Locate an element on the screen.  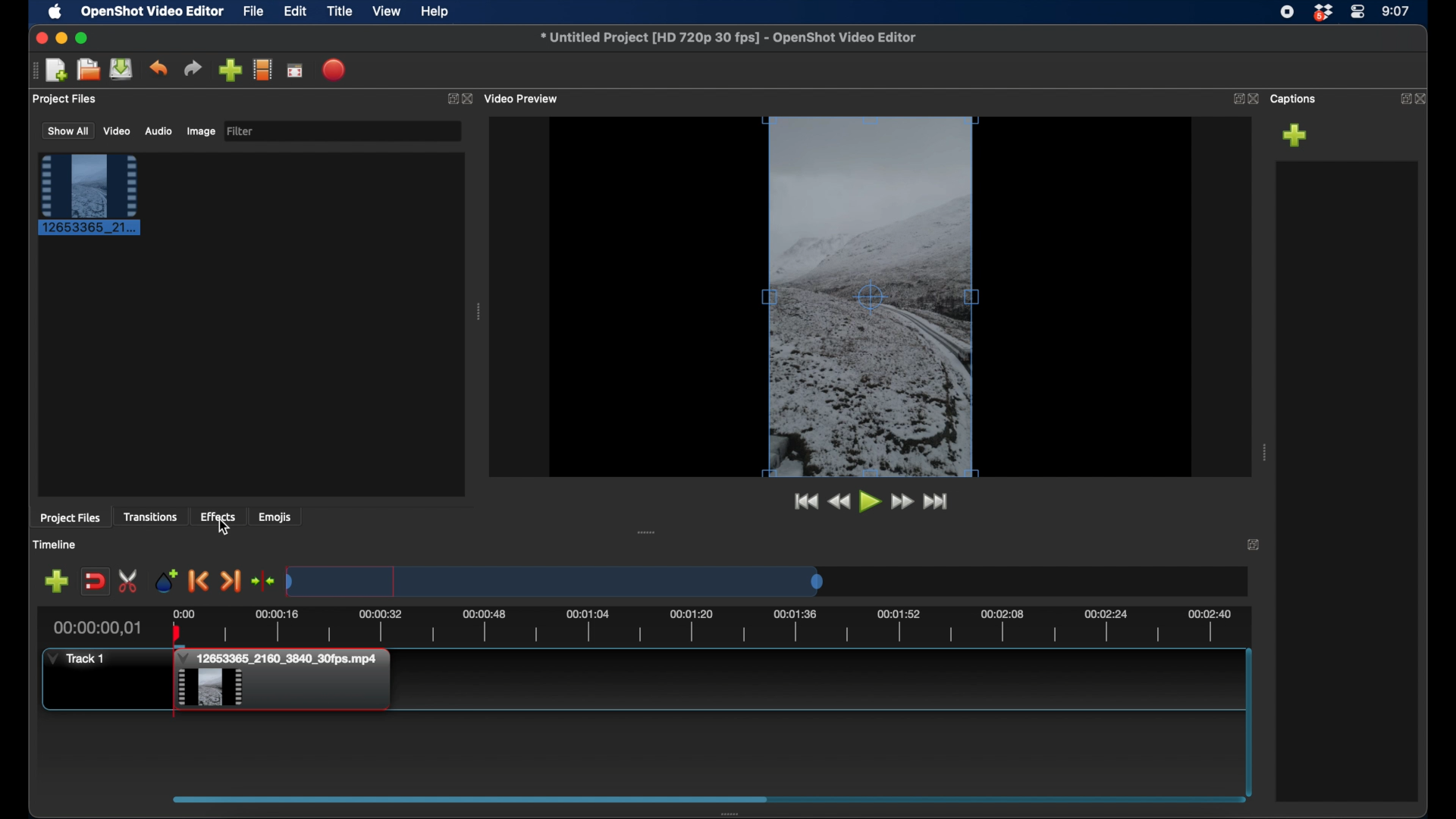
project files is located at coordinates (72, 519).